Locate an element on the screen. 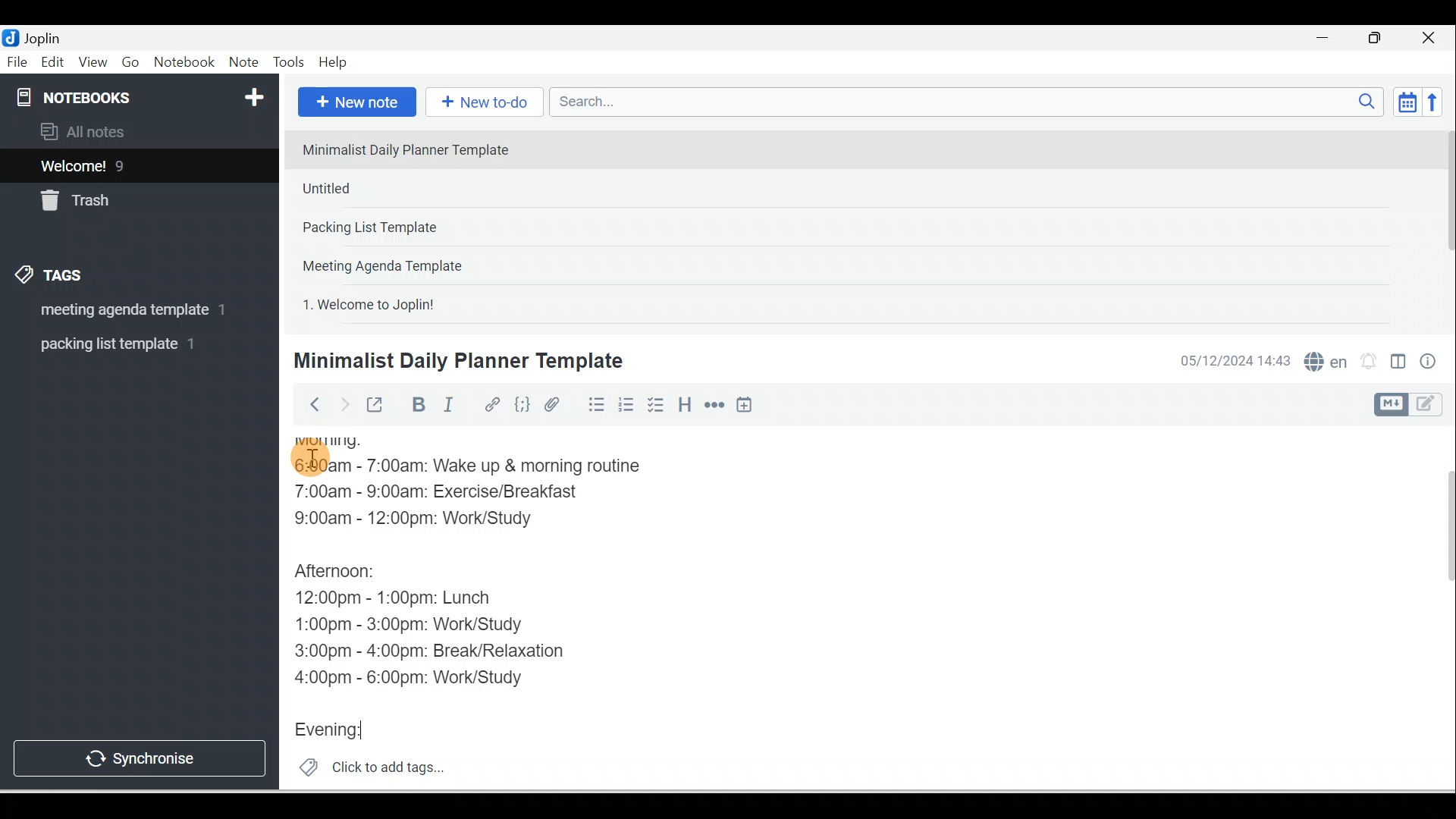  Minimise is located at coordinates (1327, 39).